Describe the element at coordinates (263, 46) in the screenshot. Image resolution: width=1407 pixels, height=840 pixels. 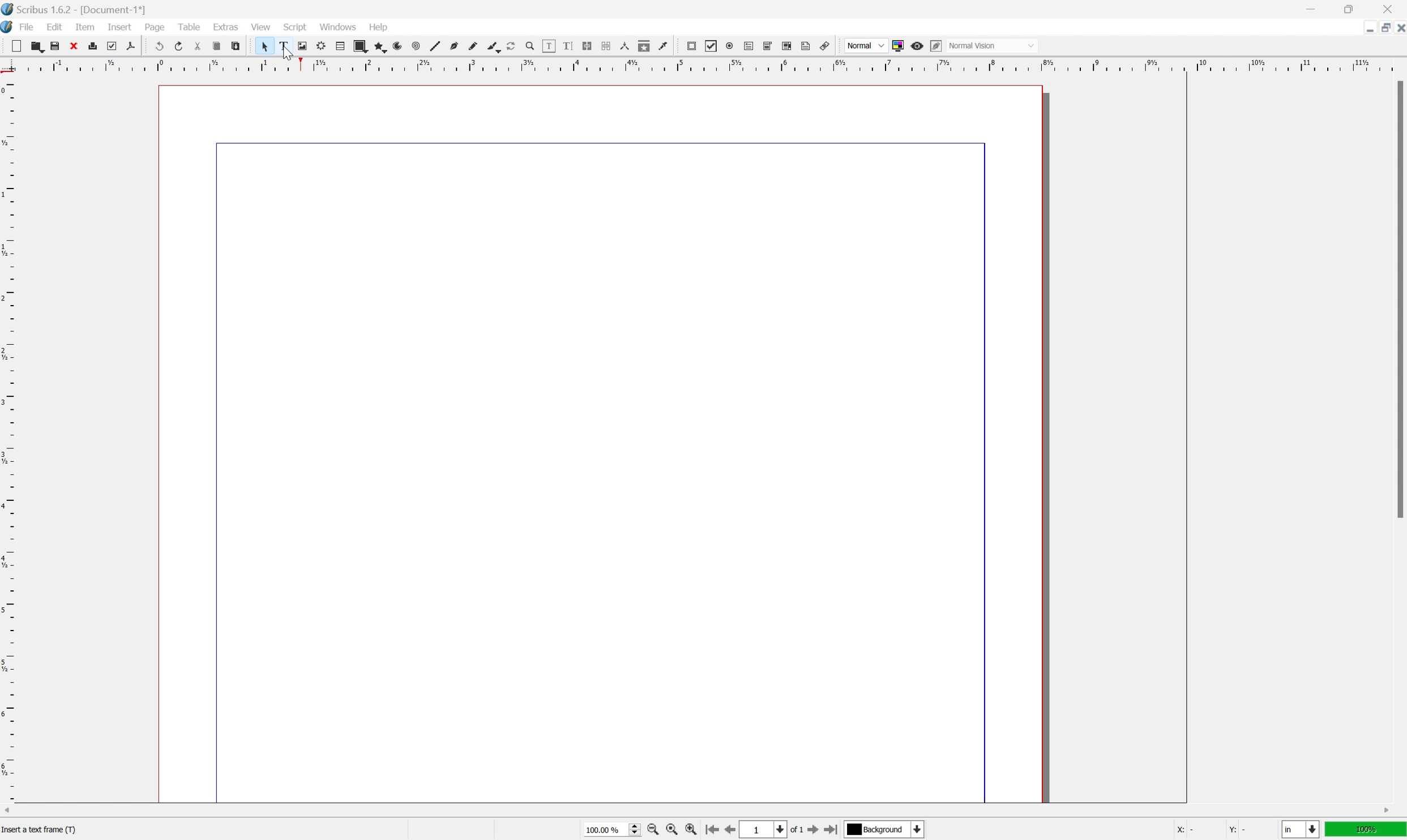
I see `cursor` at that location.